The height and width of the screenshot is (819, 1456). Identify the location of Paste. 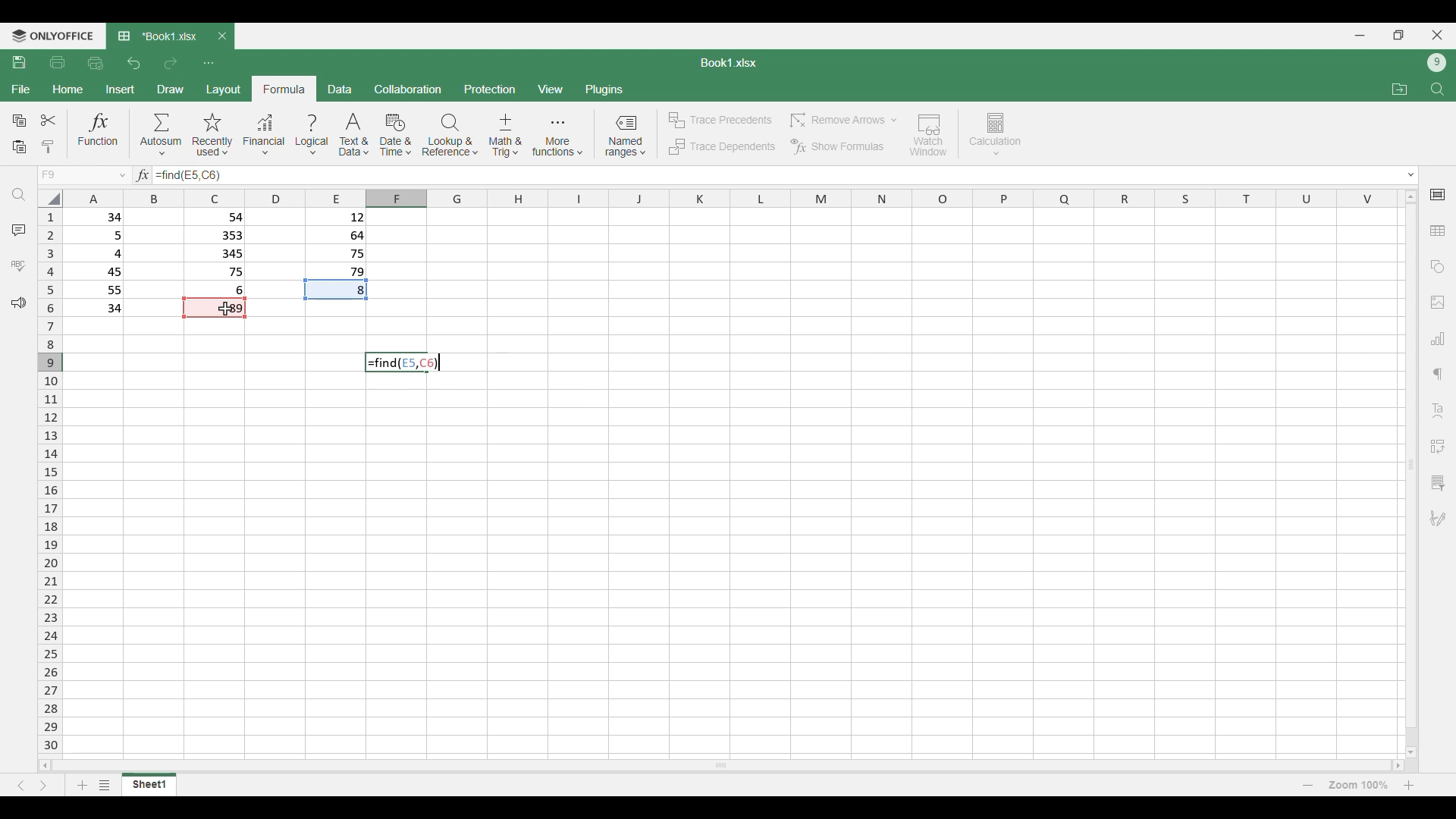
(19, 148).